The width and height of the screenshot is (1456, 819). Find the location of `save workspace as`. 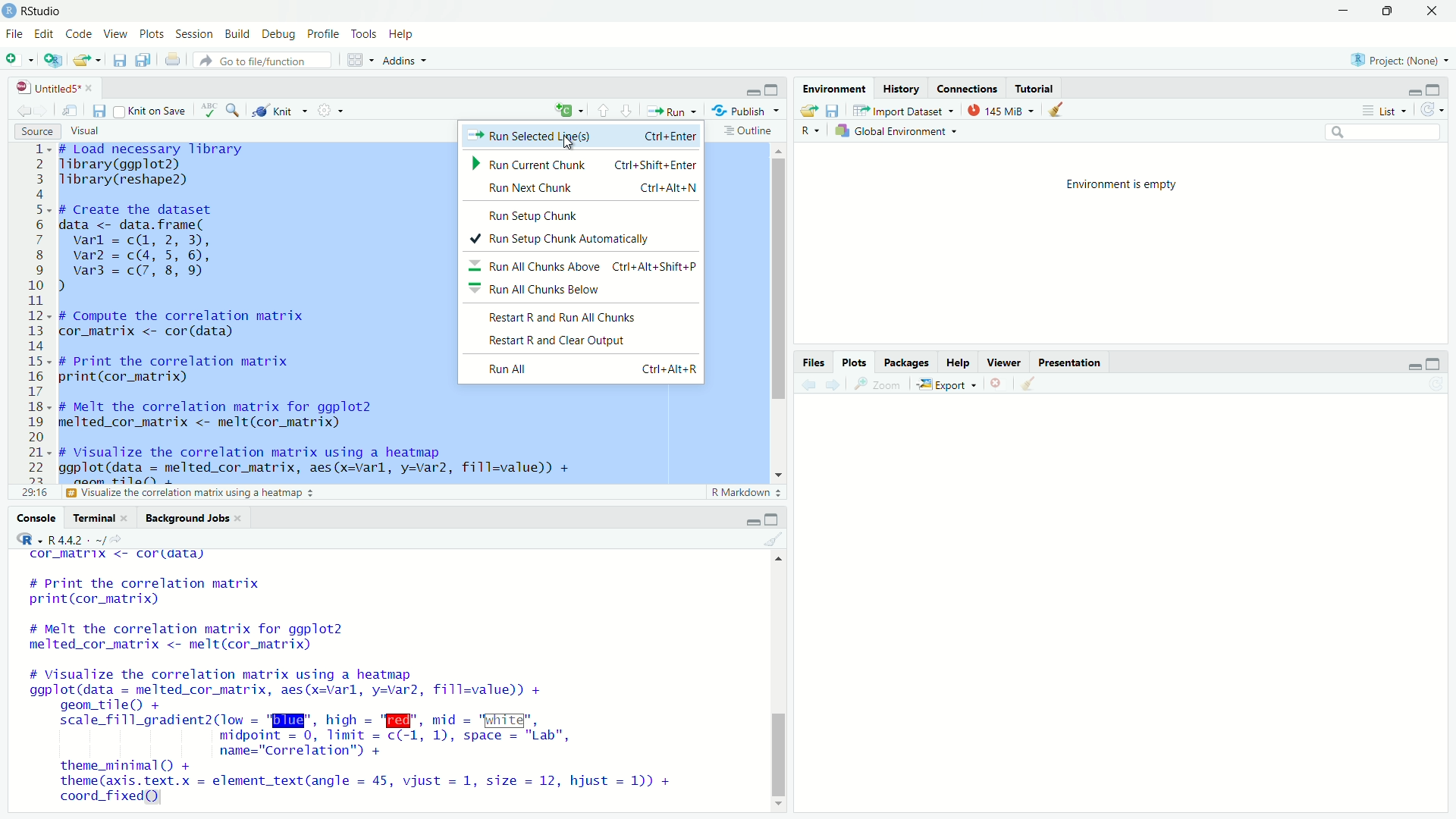

save workspace as is located at coordinates (835, 110).